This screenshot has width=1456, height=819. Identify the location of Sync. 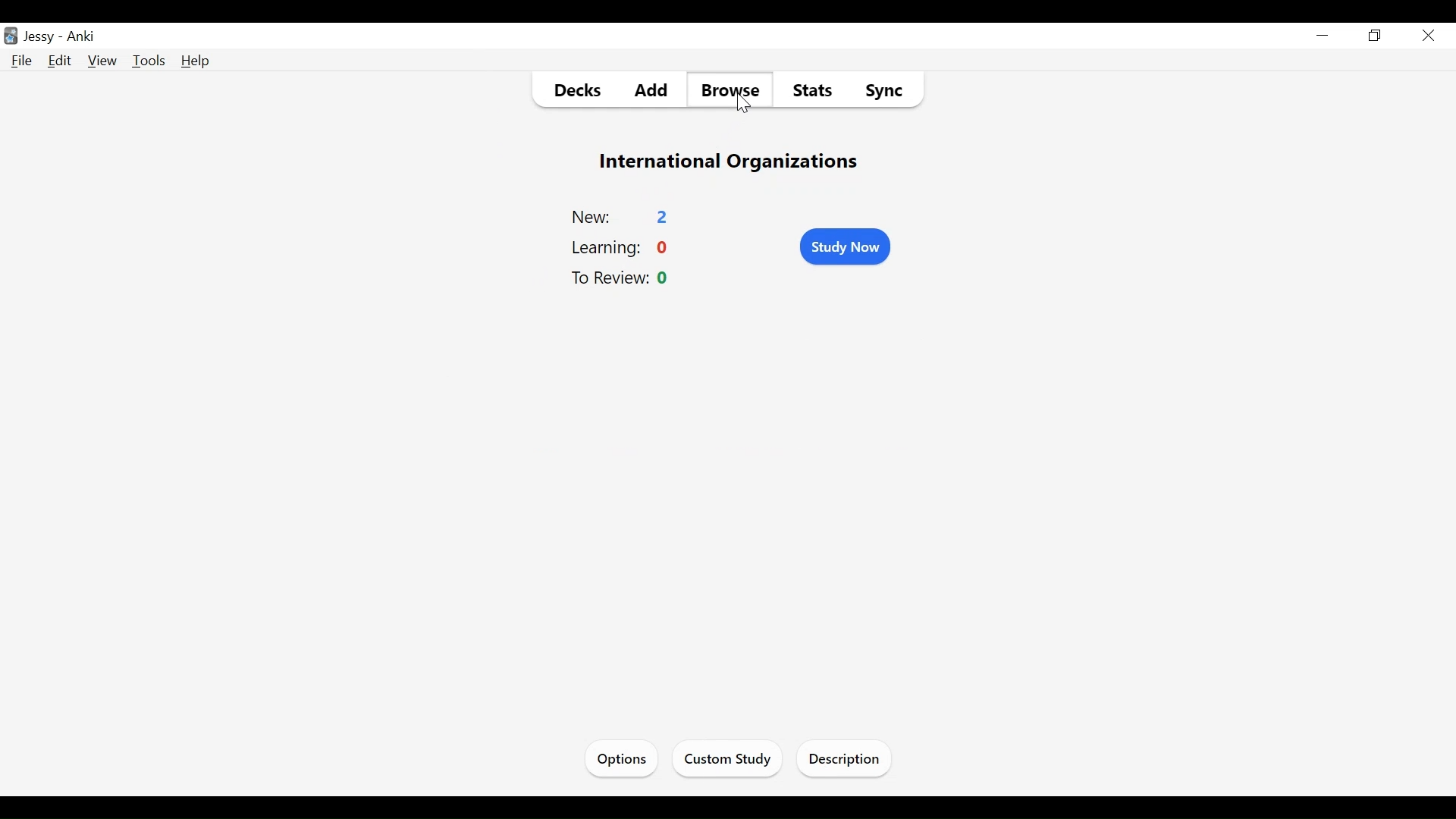
(886, 92).